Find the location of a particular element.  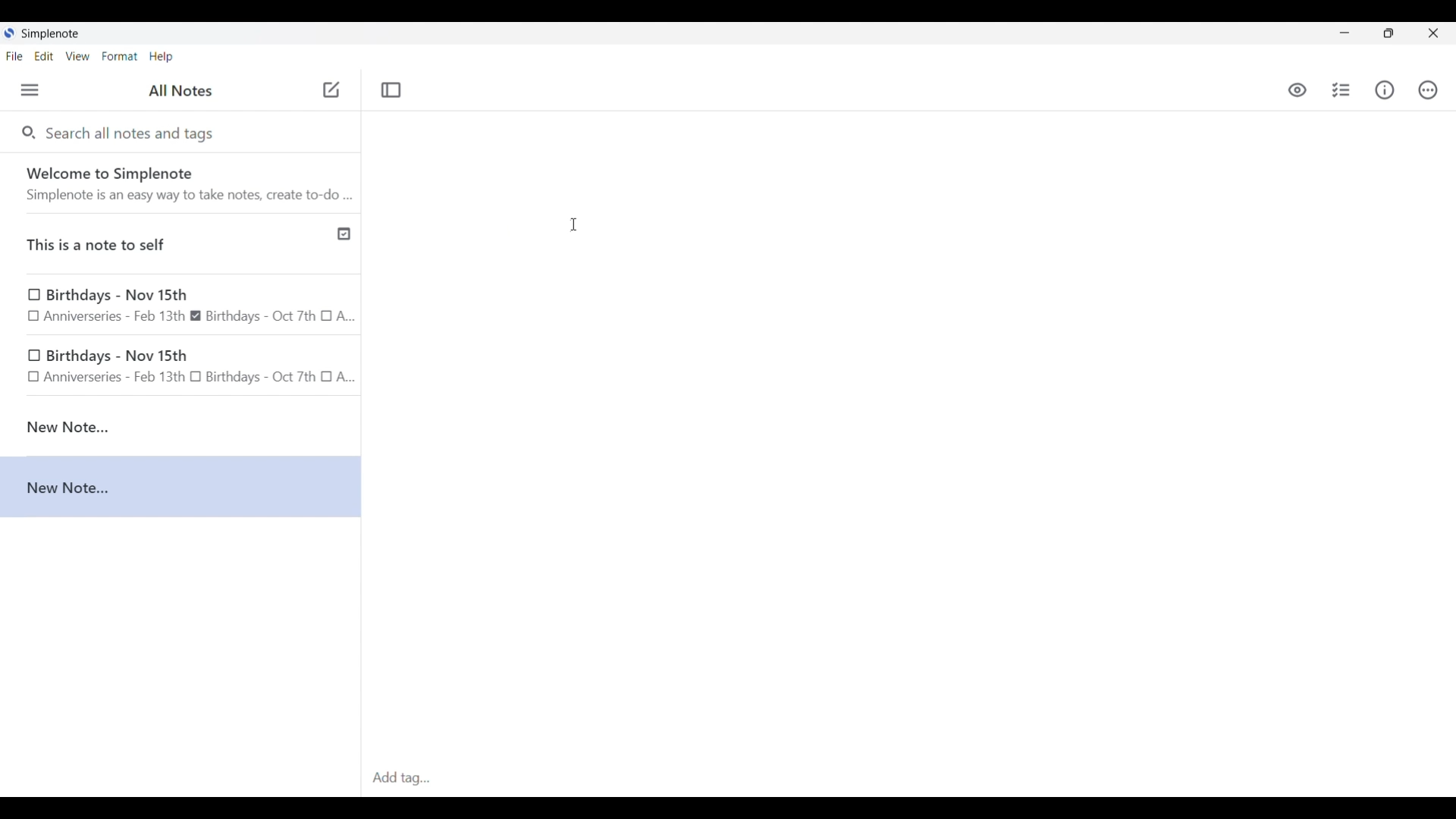

Toggle focus mode is located at coordinates (391, 90).